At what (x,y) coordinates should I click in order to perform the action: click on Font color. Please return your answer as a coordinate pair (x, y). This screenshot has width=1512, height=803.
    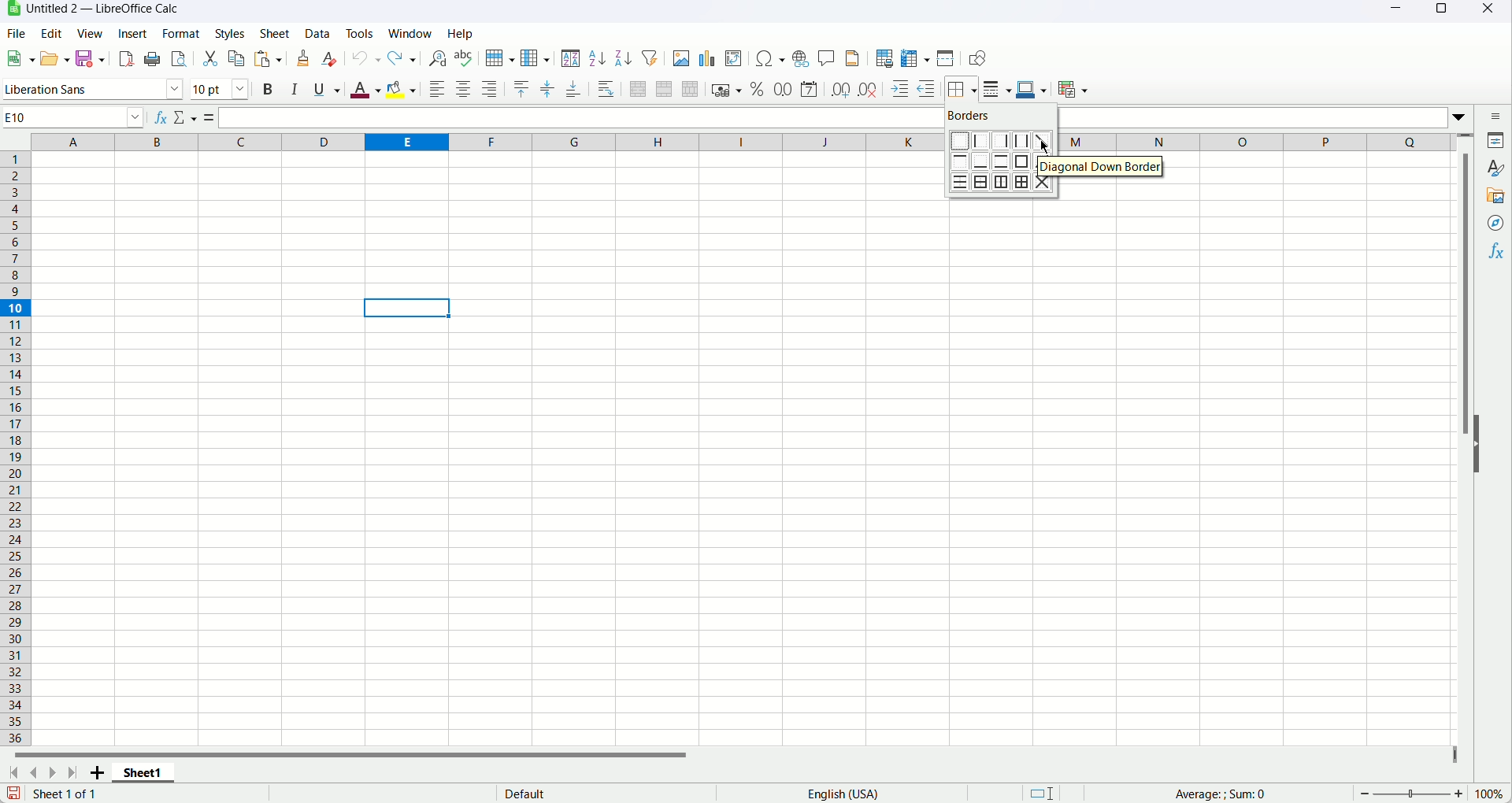
    Looking at the image, I should click on (365, 89).